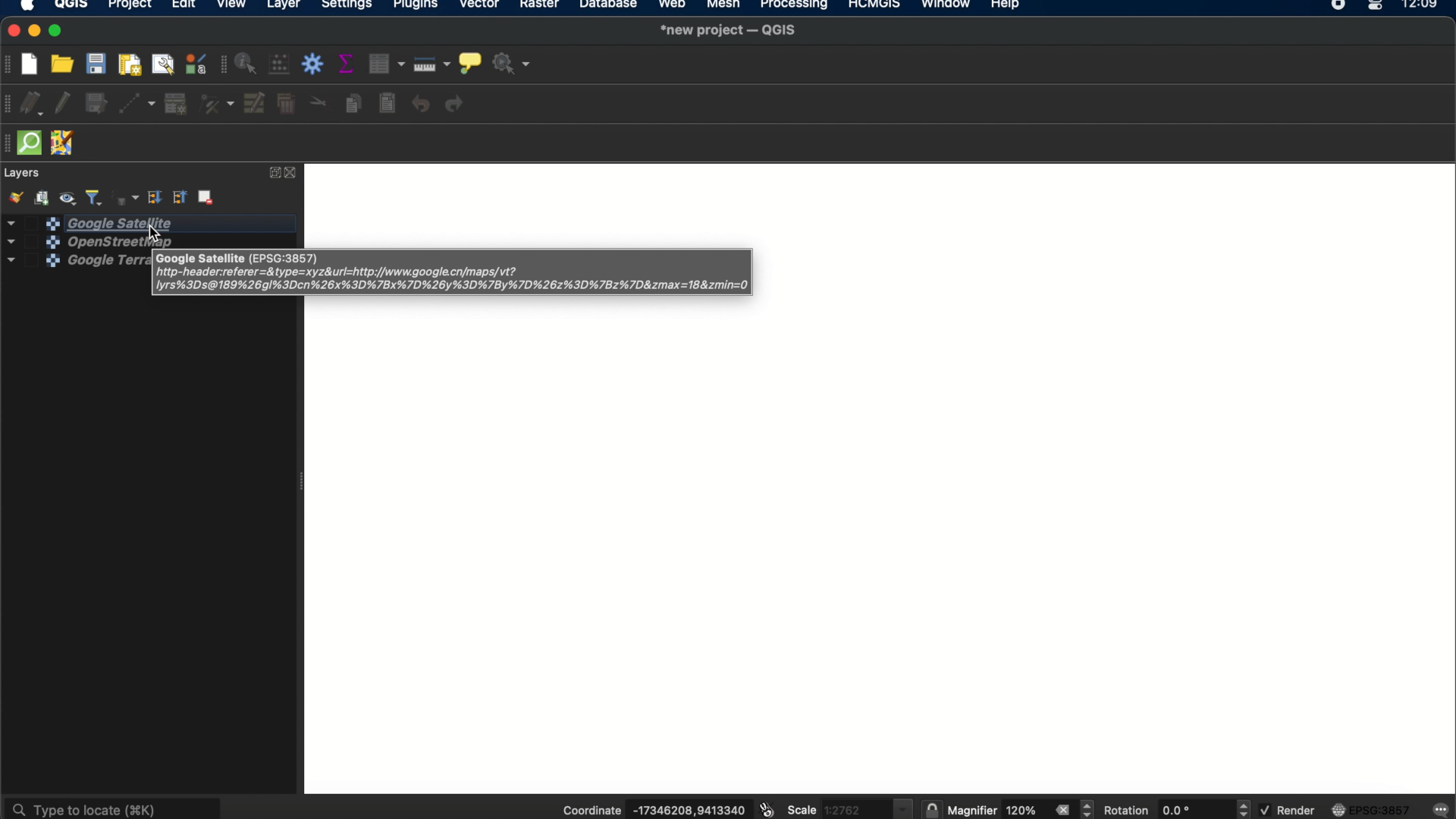 The width and height of the screenshot is (1456, 819). Describe the element at coordinates (34, 62) in the screenshot. I see `new project` at that location.